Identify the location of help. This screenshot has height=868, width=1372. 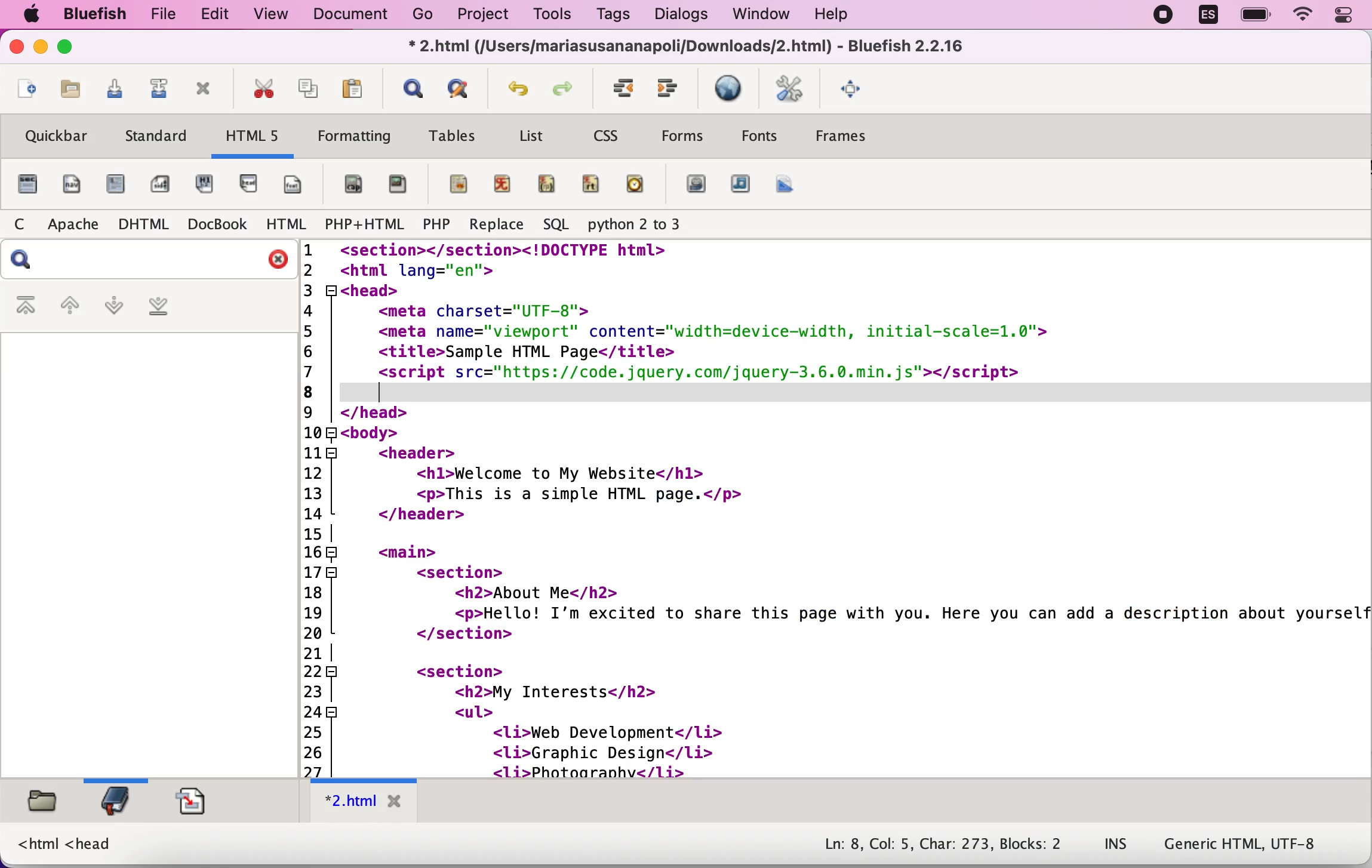
(853, 13).